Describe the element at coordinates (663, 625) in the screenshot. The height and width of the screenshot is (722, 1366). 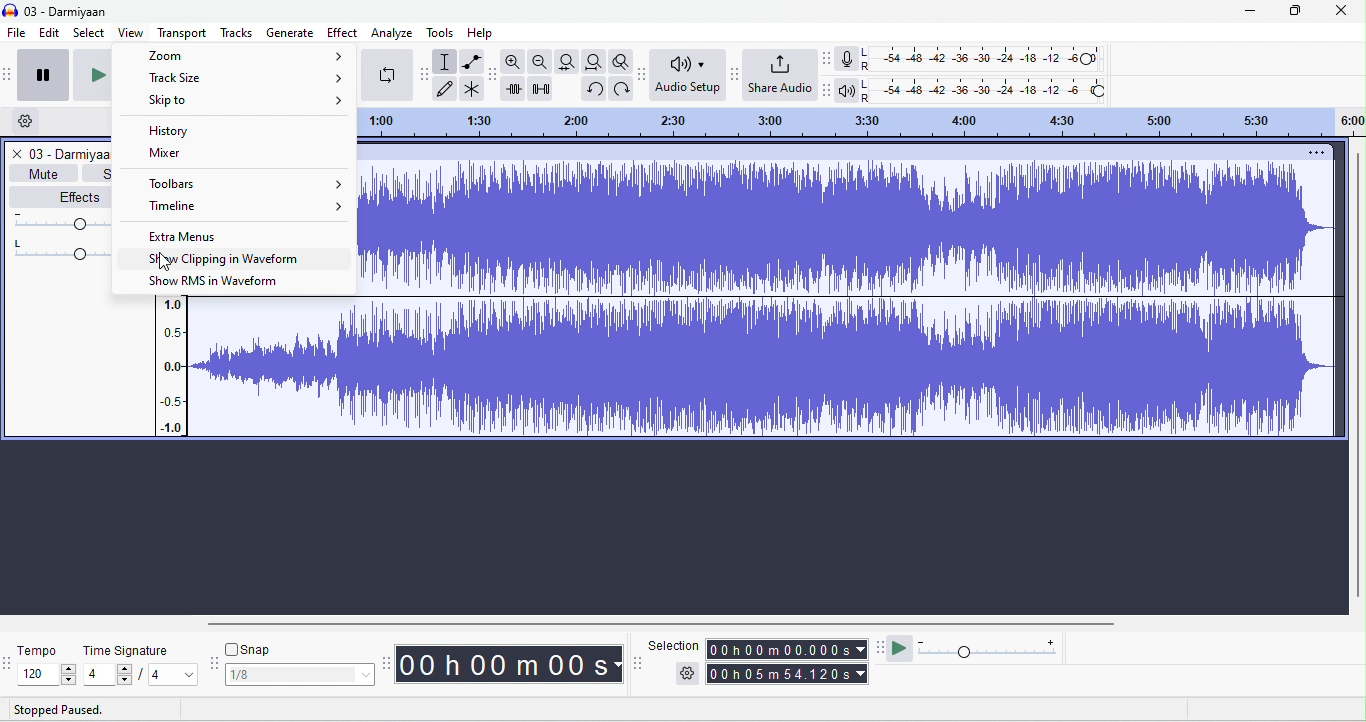
I see `horizontal scroll bar` at that location.